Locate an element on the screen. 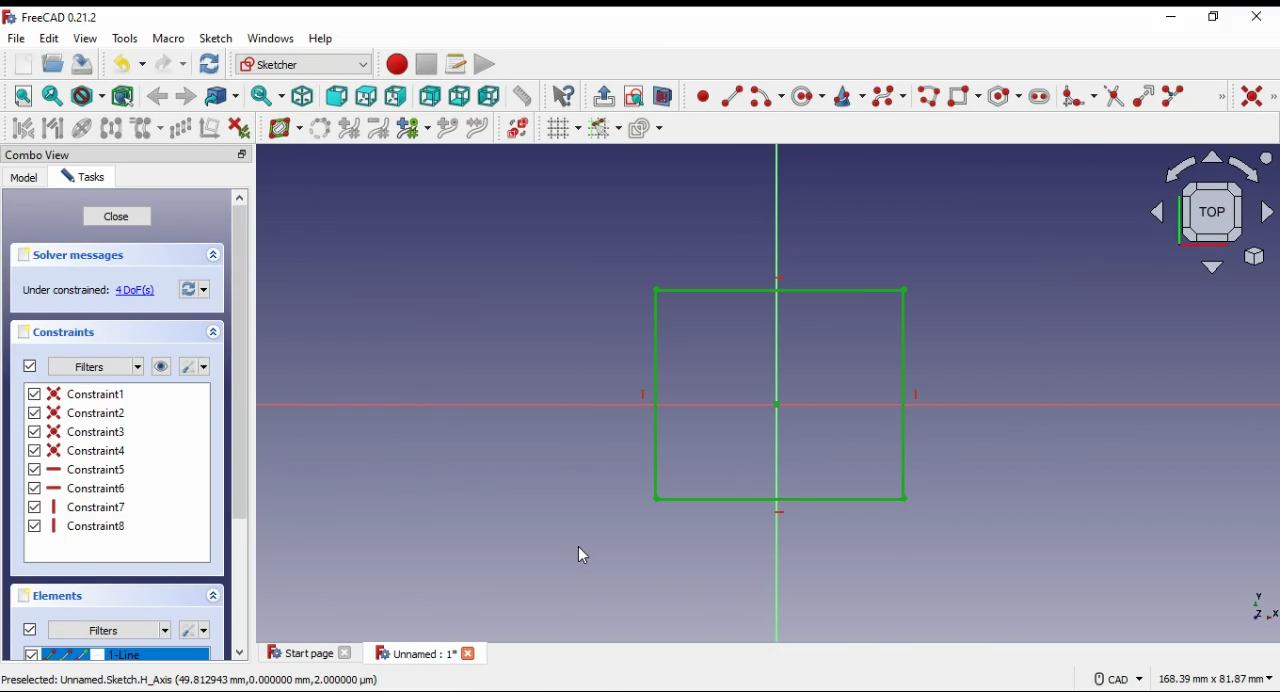 The width and height of the screenshot is (1280, 692). edit is located at coordinates (49, 39).